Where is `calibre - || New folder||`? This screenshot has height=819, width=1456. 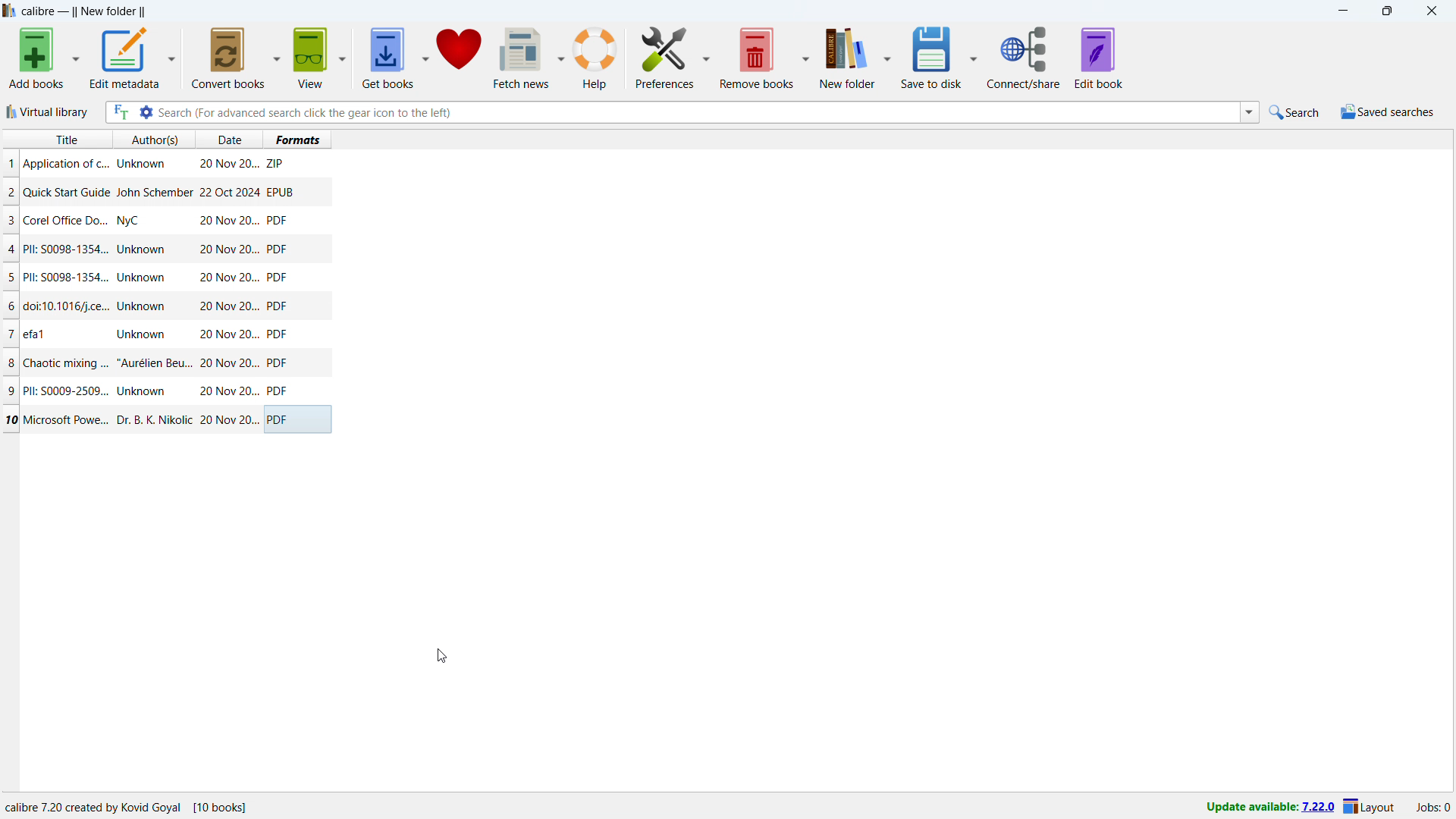
calibre - || New folder|| is located at coordinates (86, 11).